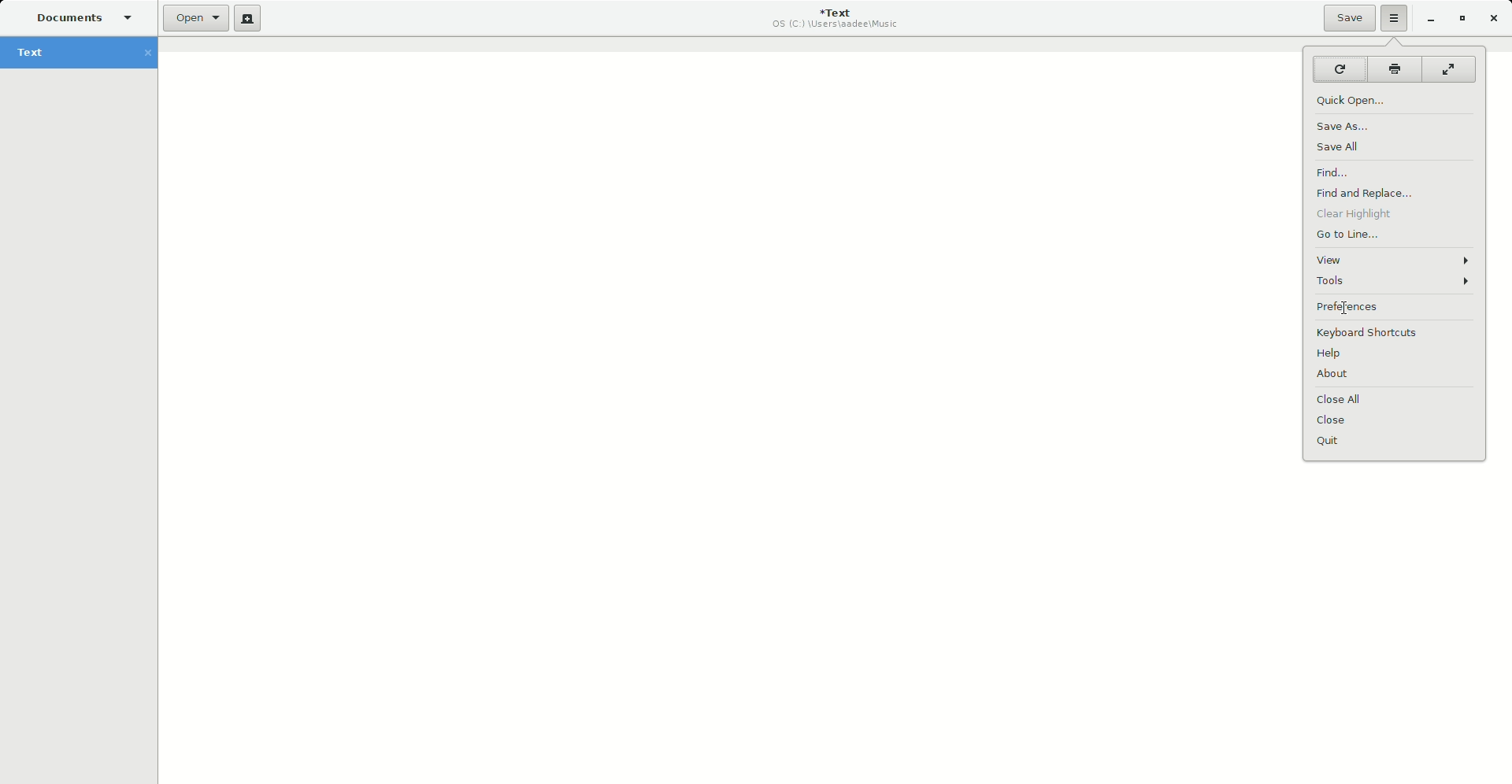 The image size is (1512, 784). Describe the element at coordinates (196, 19) in the screenshot. I see `Open` at that location.